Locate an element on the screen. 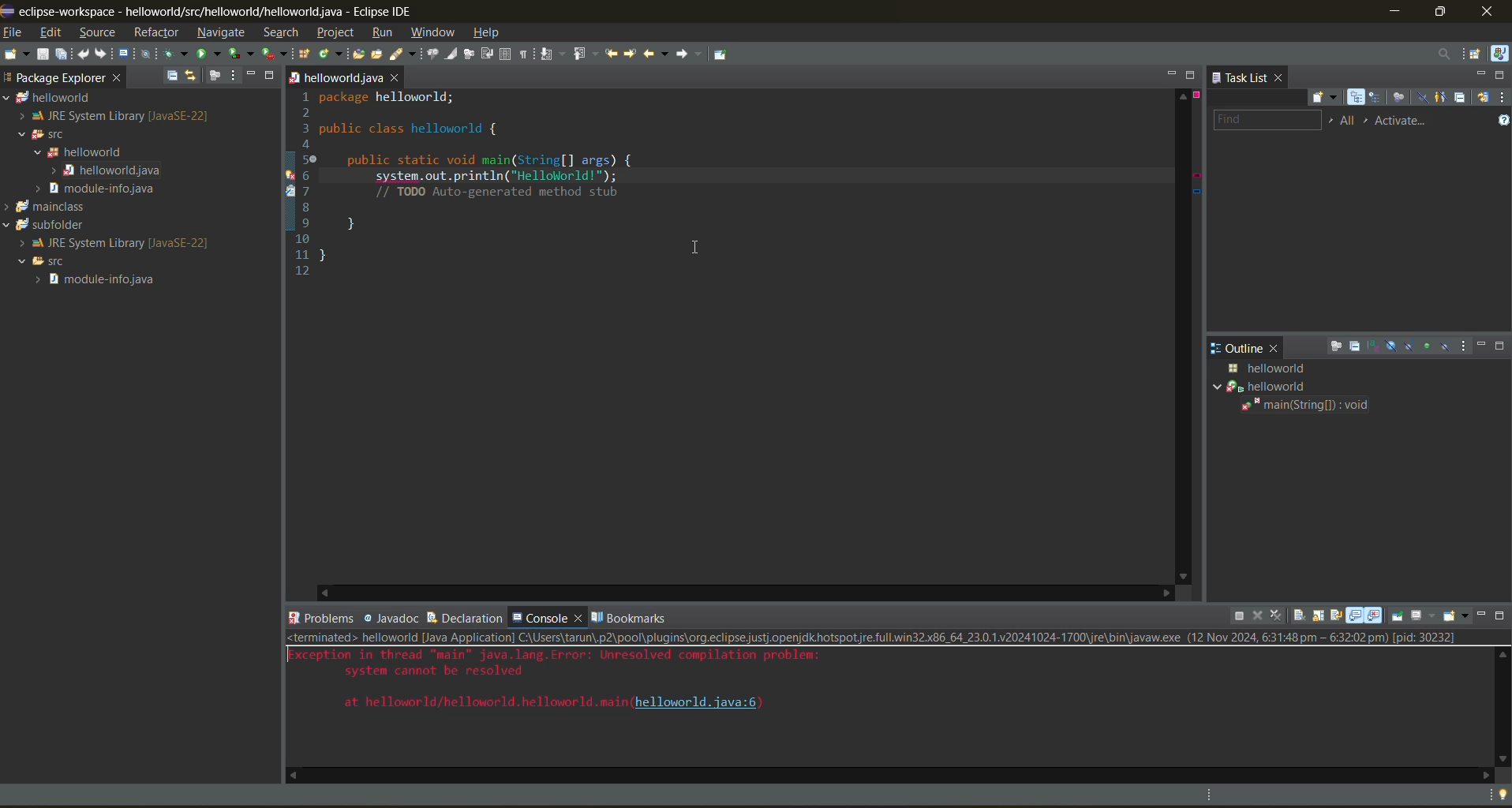  open perspective is located at coordinates (1474, 56).